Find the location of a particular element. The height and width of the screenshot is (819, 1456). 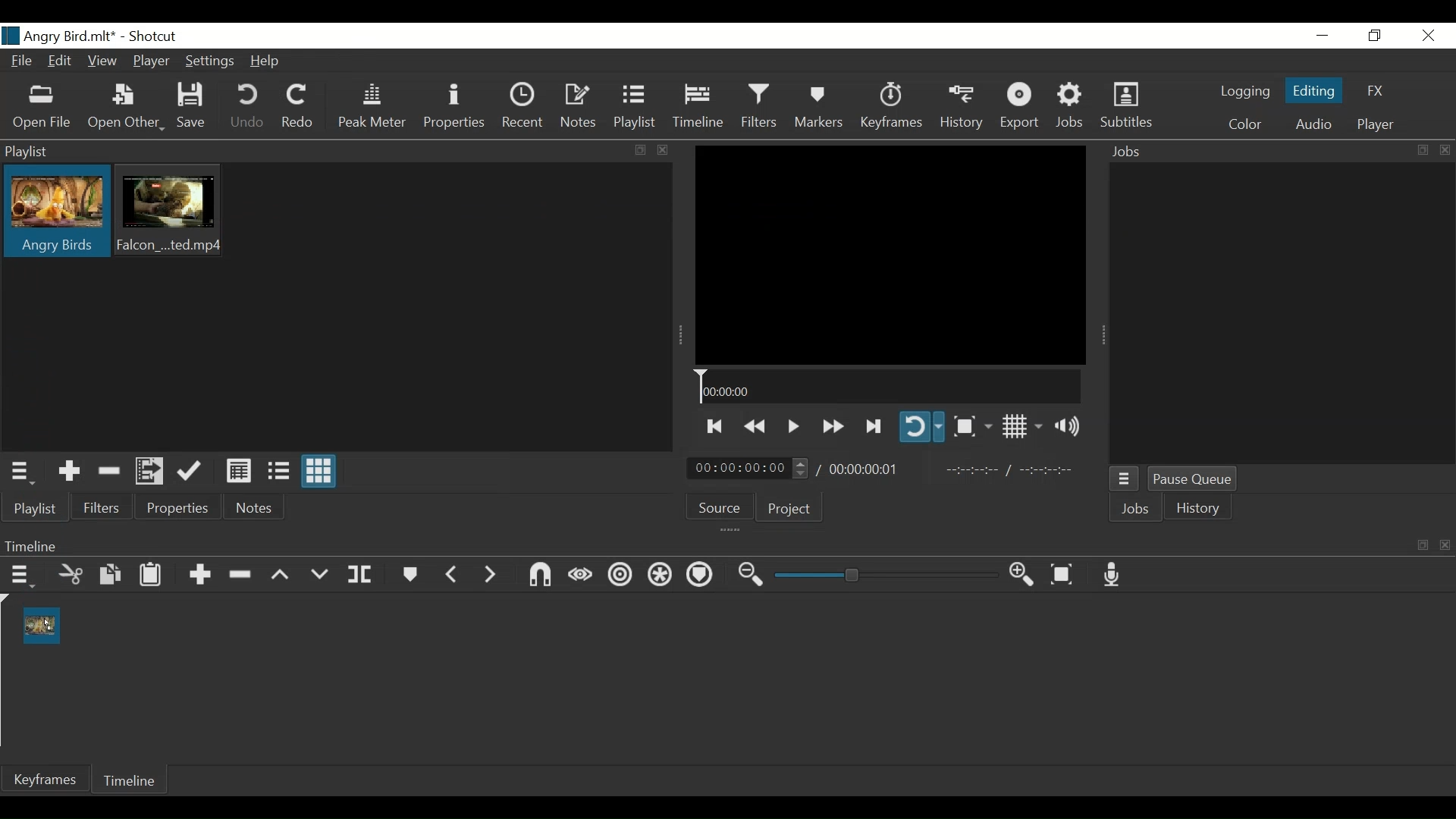

Properties is located at coordinates (456, 109).